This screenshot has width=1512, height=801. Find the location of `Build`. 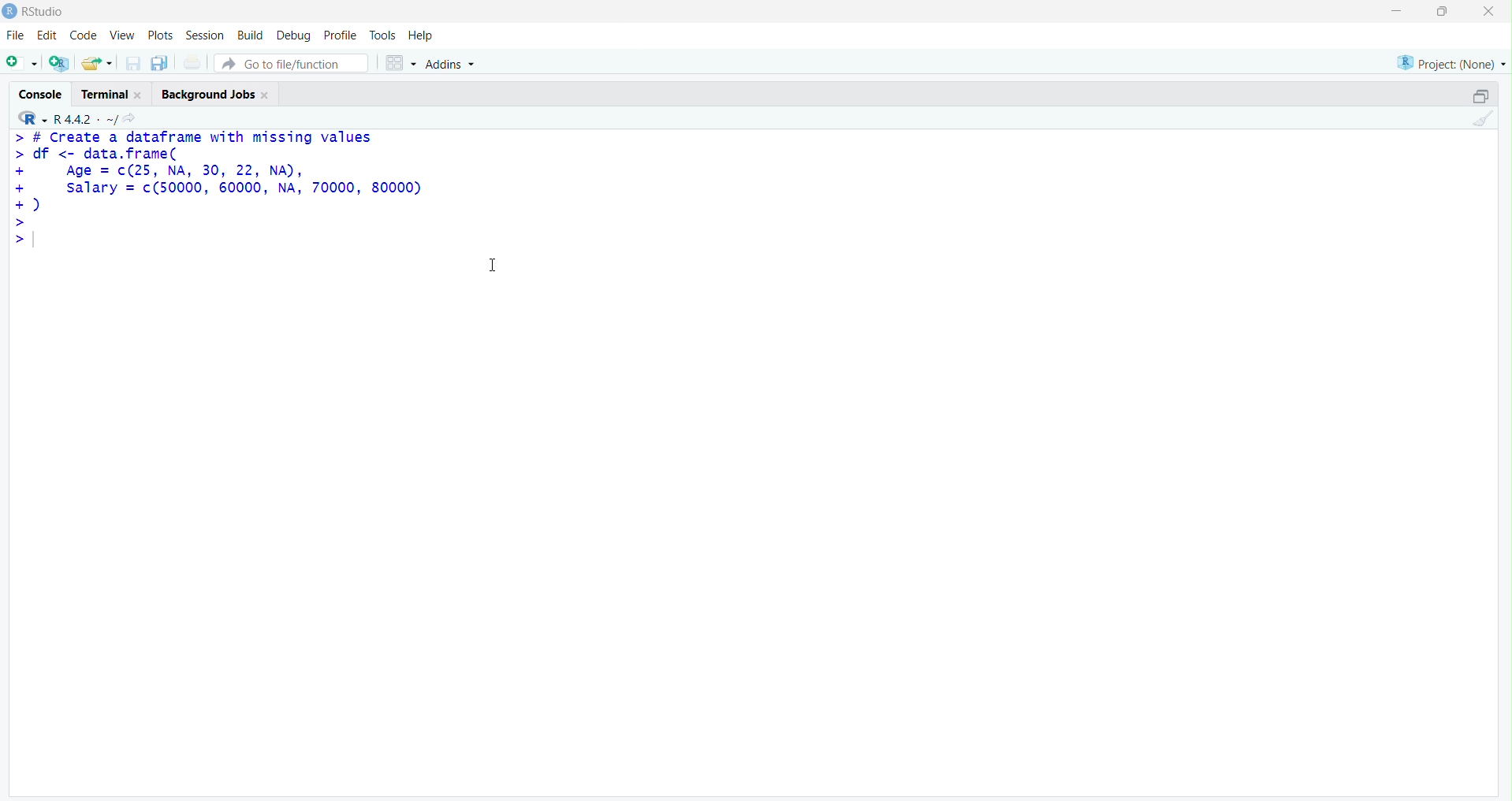

Build is located at coordinates (251, 35).